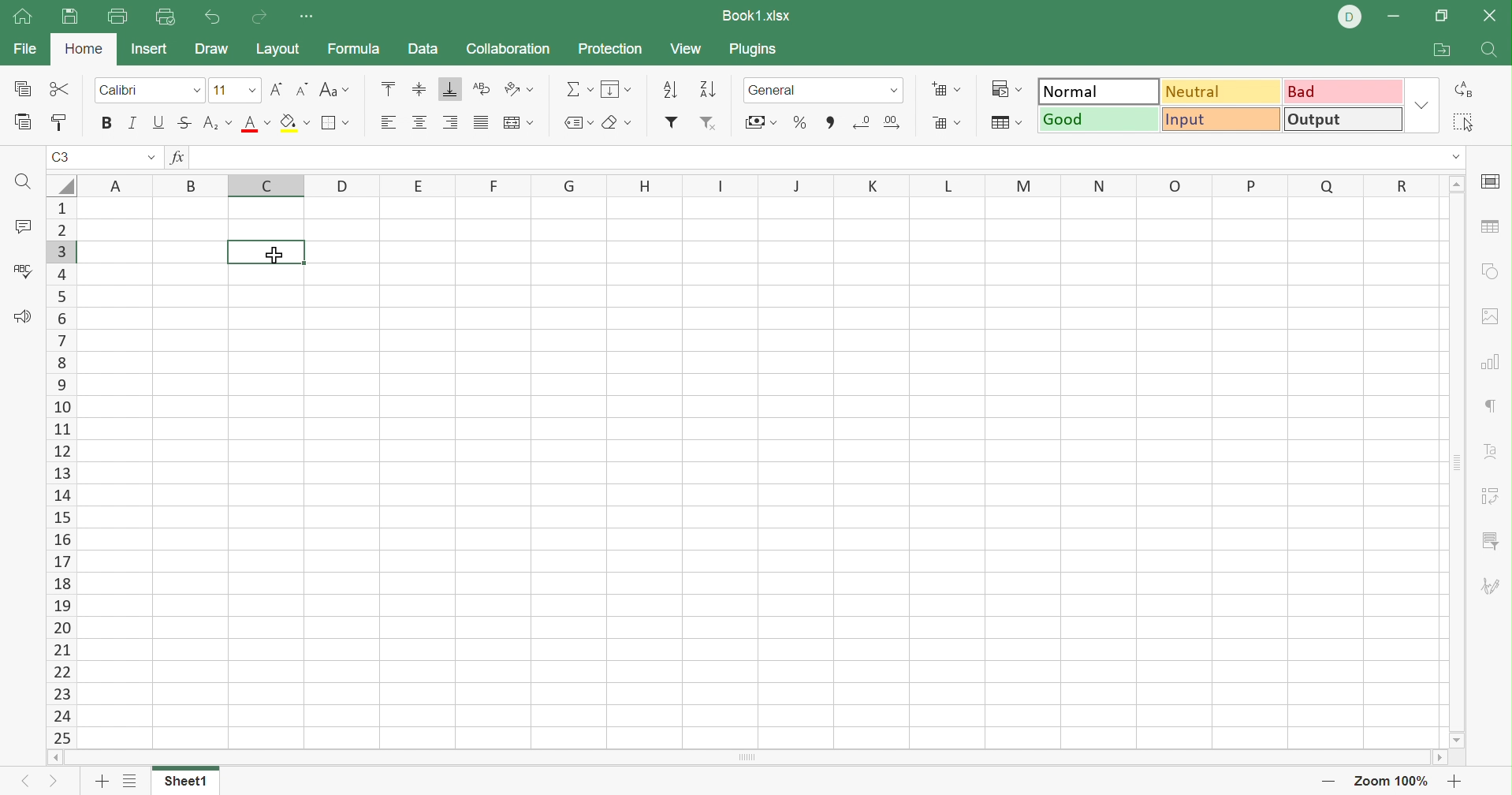  Describe the element at coordinates (64, 90) in the screenshot. I see `Cut` at that location.